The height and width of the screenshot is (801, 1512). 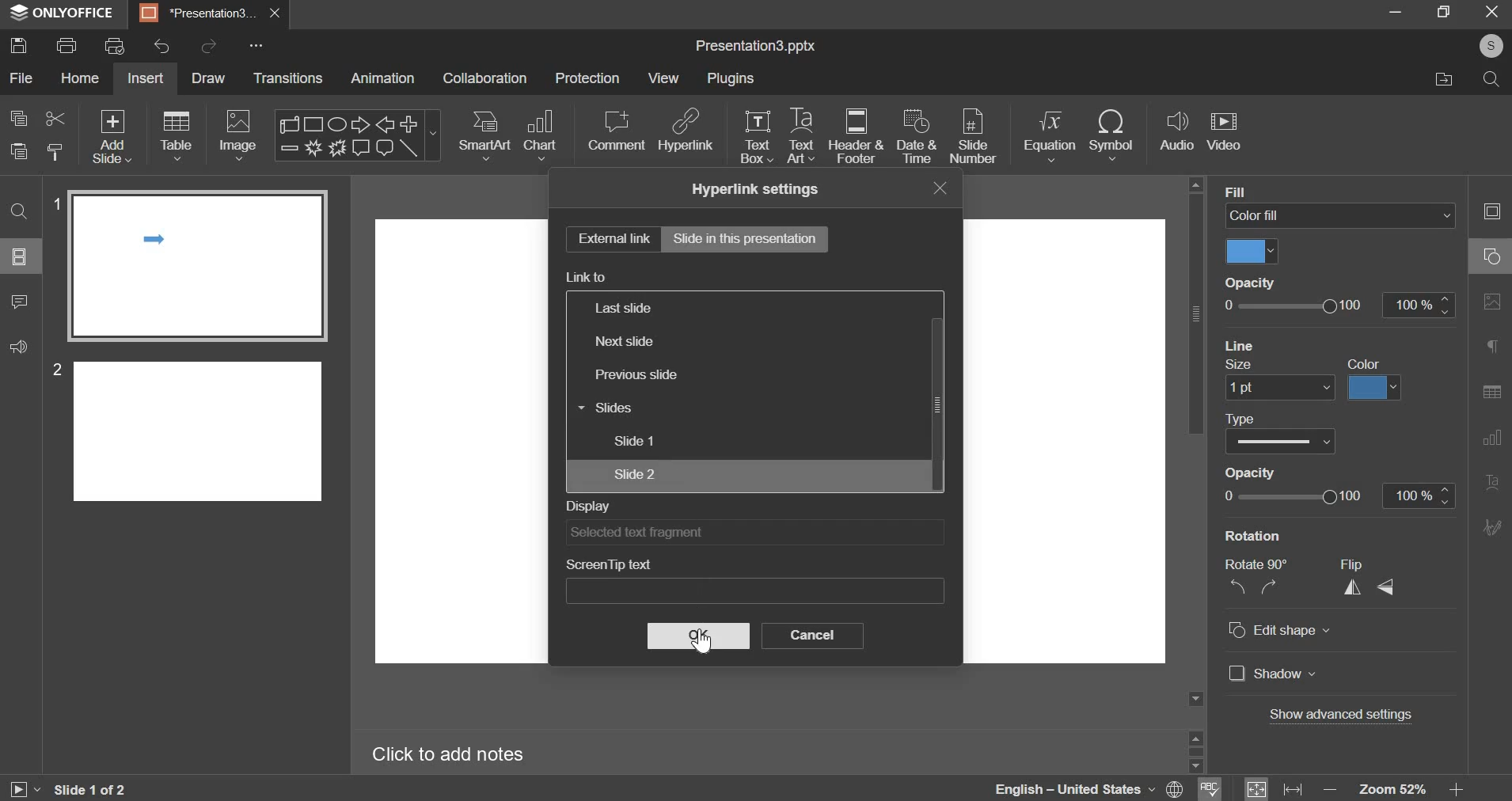 I want to click on draw, so click(x=212, y=80).